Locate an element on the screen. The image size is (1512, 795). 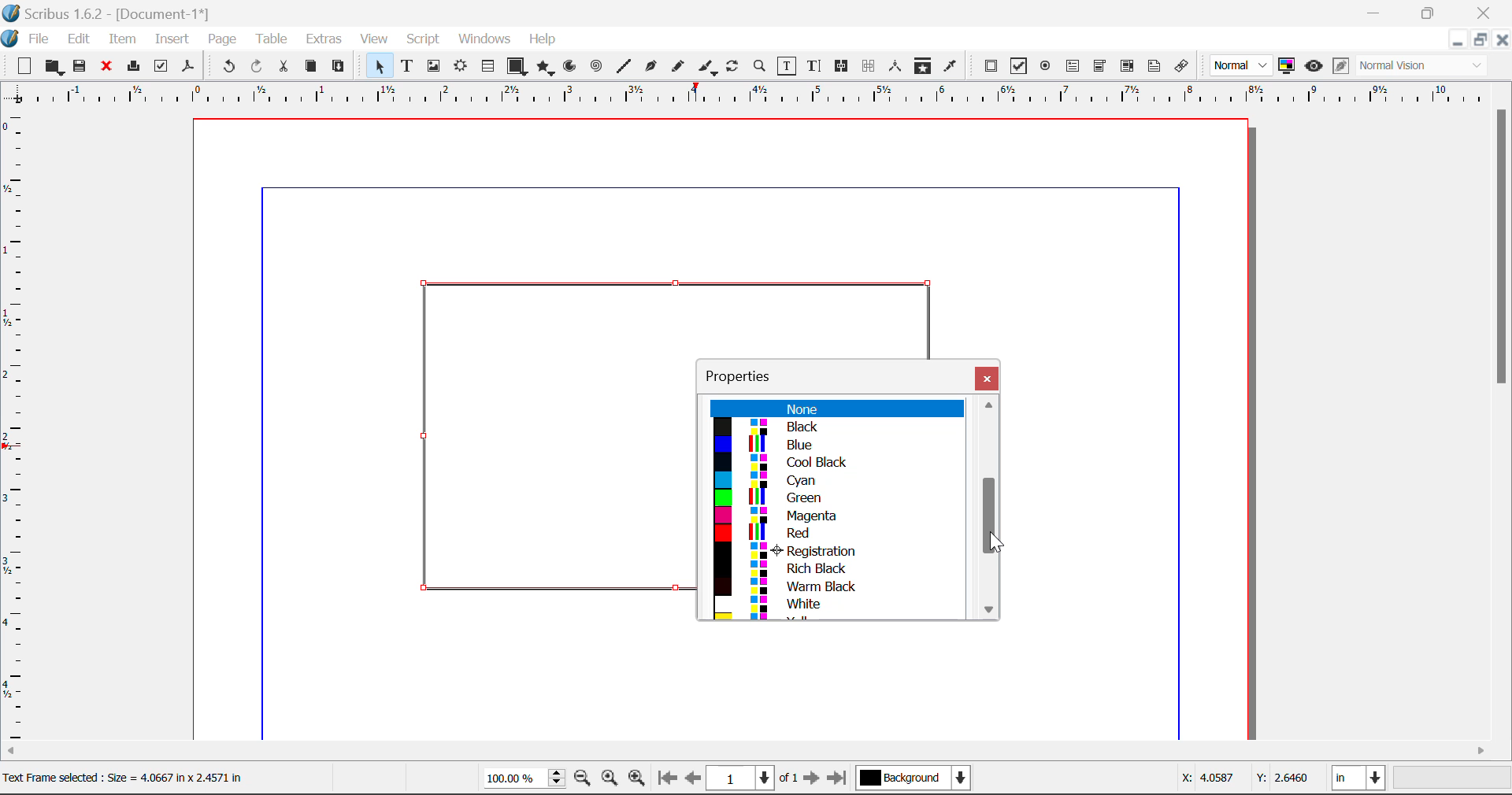
Freehand Line is located at coordinates (676, 67).